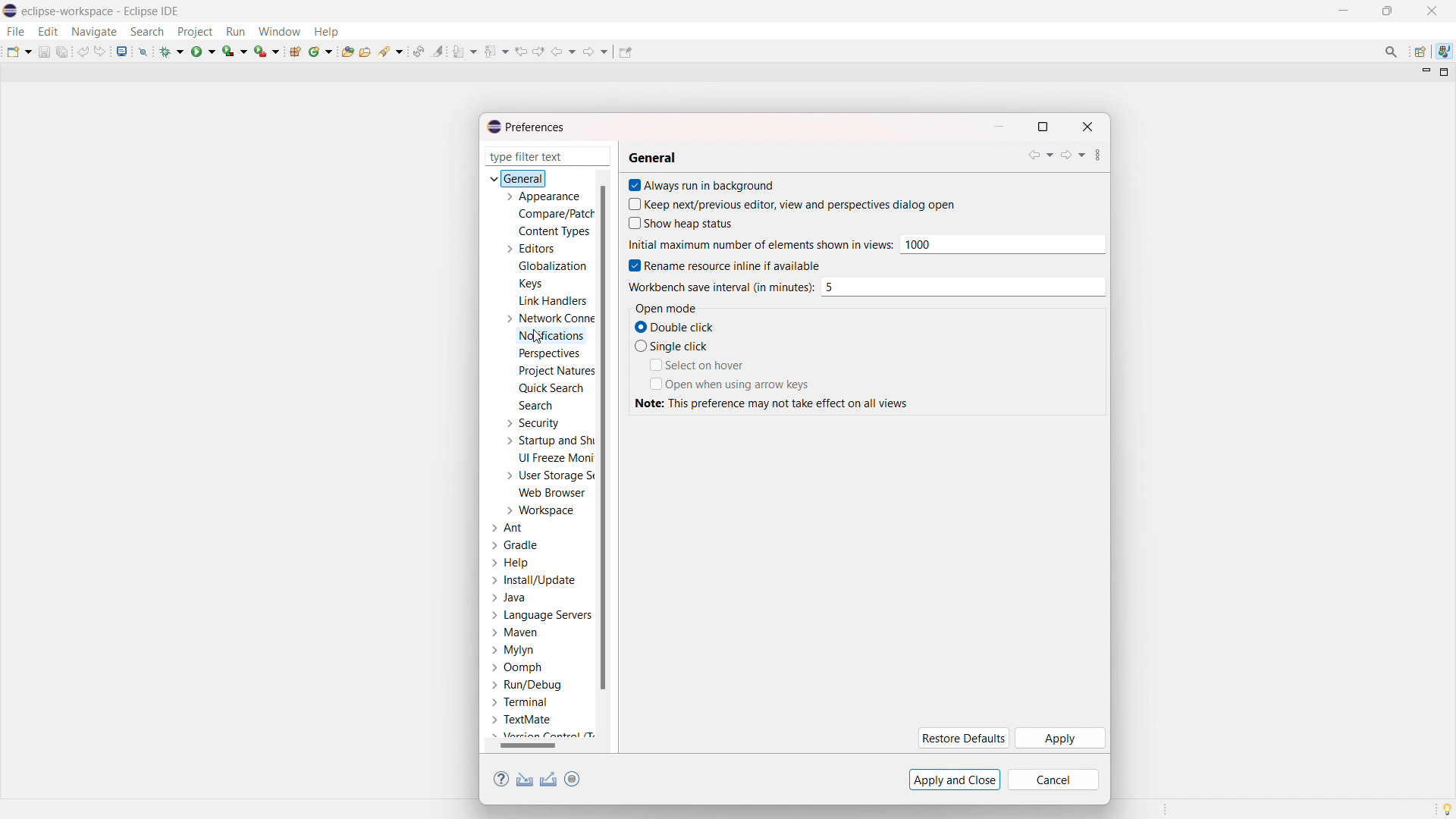 The width and height of the screenshot is (1456, 819). Describe the element at coordinates (739, 384) in the screenshot. I see `open when using arrow keys` at that location.